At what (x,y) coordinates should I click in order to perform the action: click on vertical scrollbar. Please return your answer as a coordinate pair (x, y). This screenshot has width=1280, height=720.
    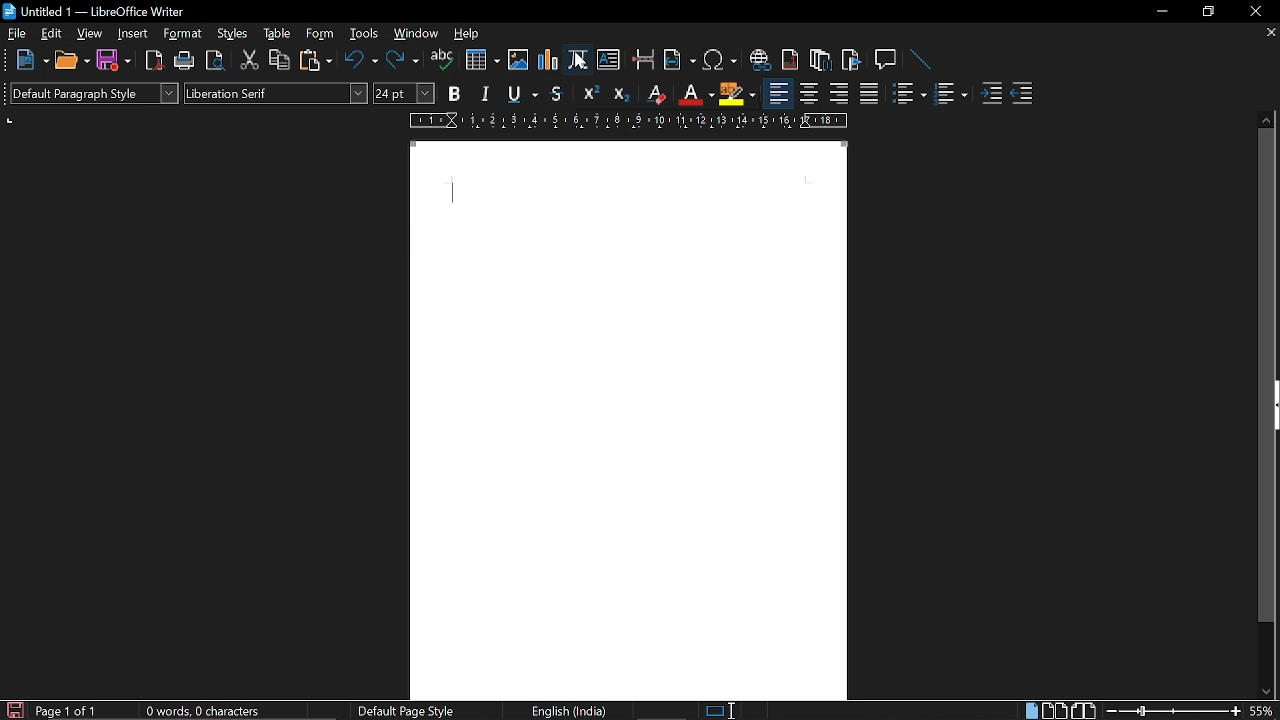
    Looking at the image, I should click on (1266, 375).